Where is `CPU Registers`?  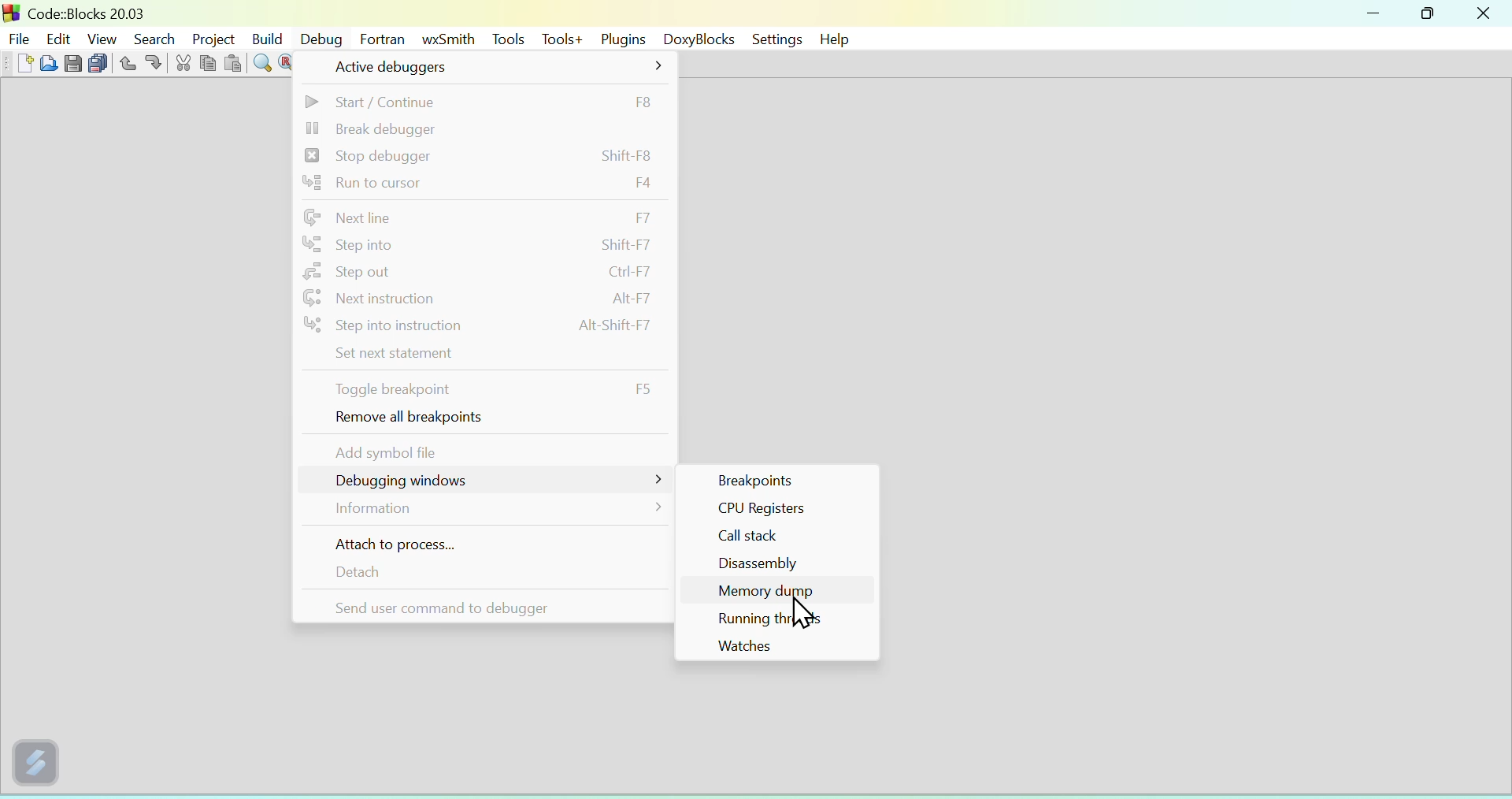
CPU Registers is located at coordinates (775, 511).